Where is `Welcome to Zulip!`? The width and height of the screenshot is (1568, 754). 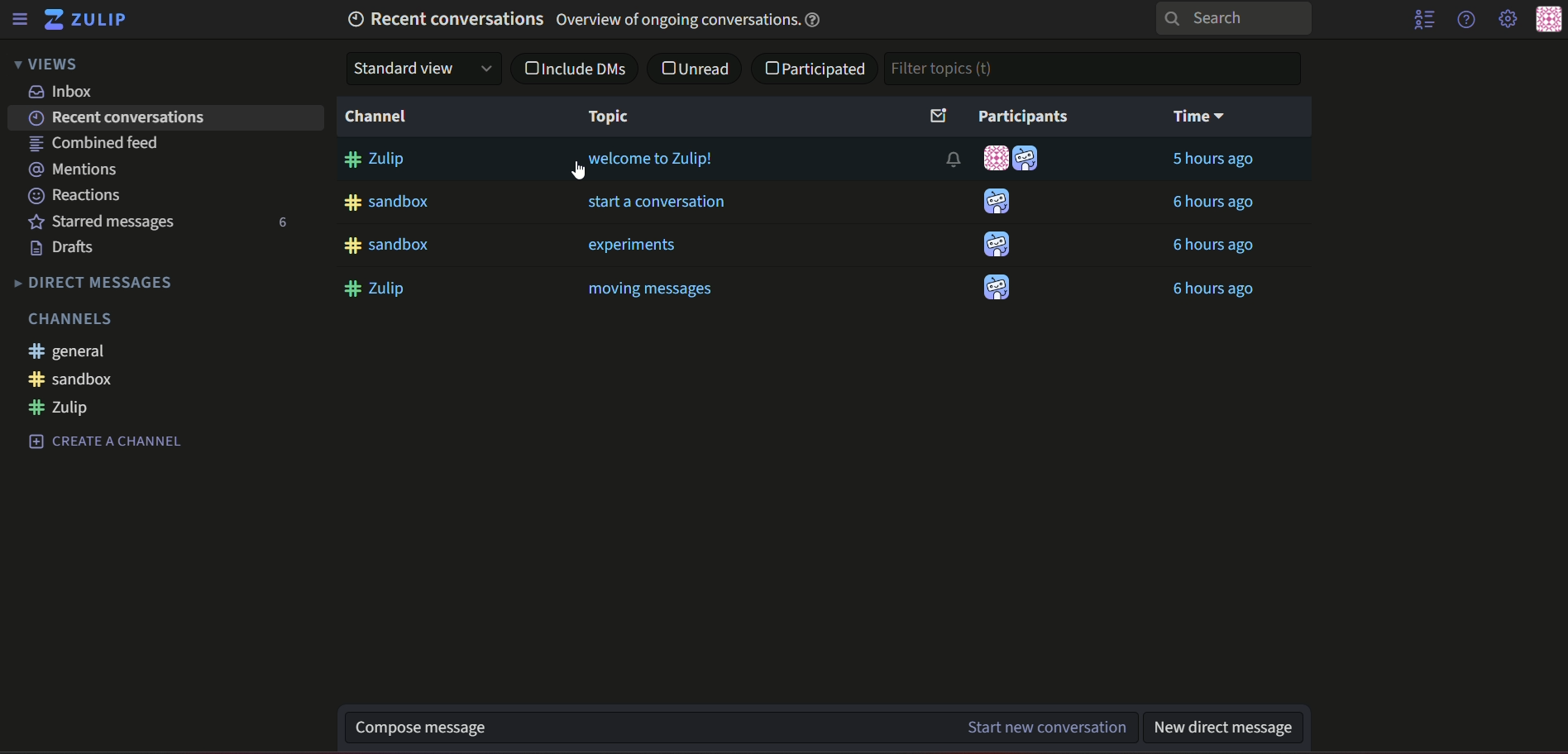
Welcome to Zulip! is located at coordinates (650, 160).